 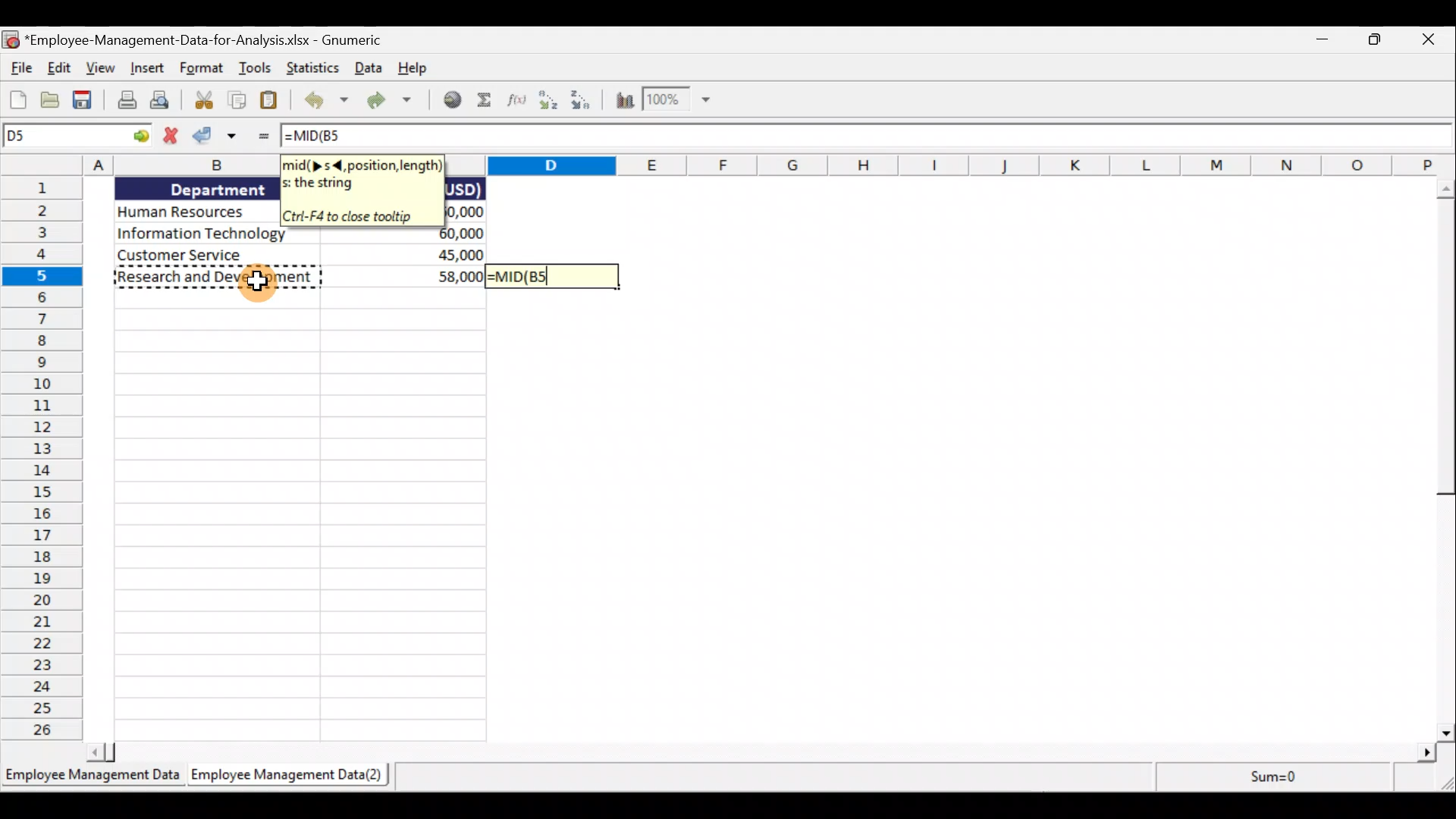 What do you see at coordinates (392, 260) in the screenshot?
I see `data` at bounding box center [392, 260].